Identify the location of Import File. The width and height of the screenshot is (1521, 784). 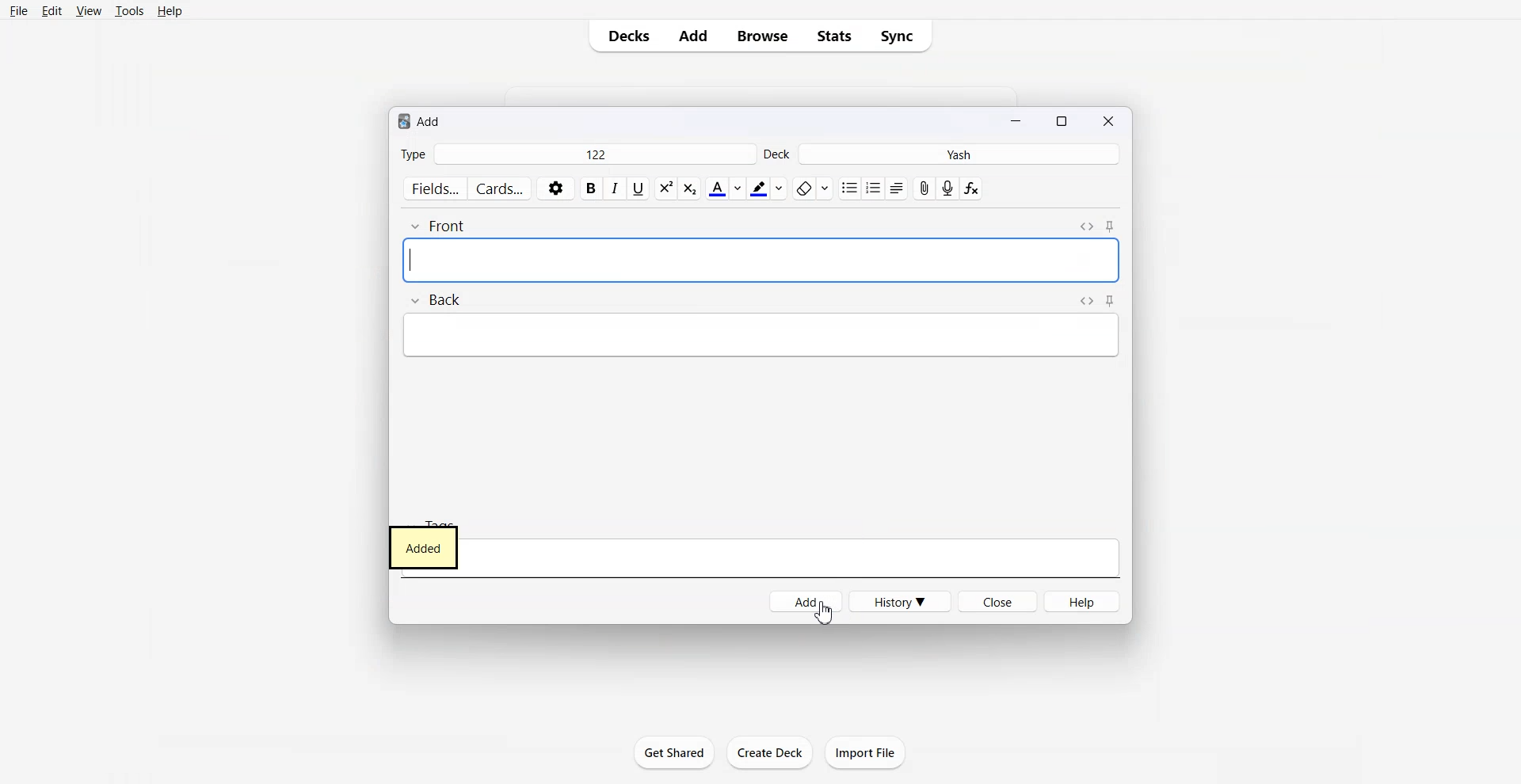
(866, 752).